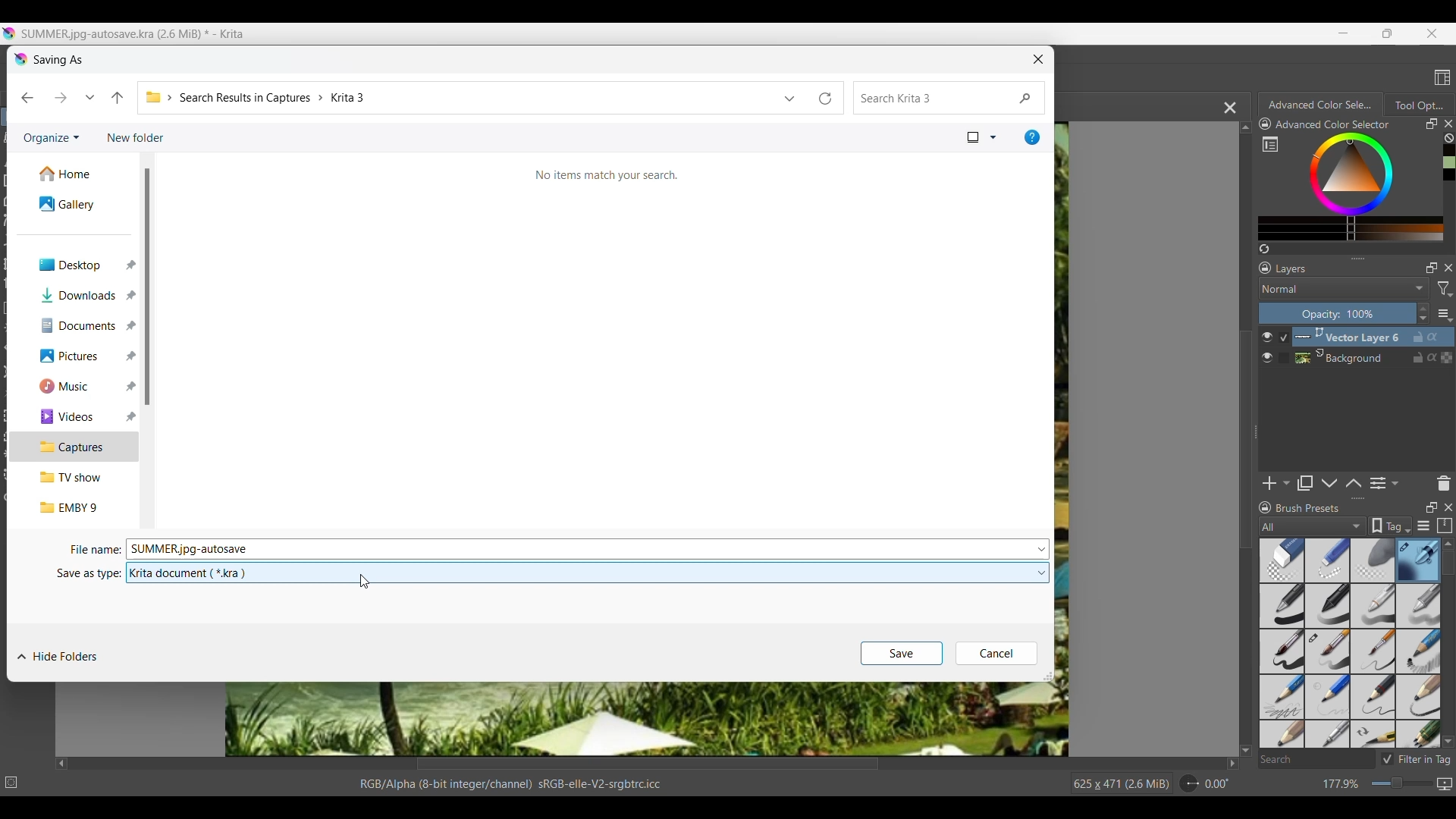 The height and width of the screenshot is (819, 1456). I want to click on Color history, so click(1451, 163).